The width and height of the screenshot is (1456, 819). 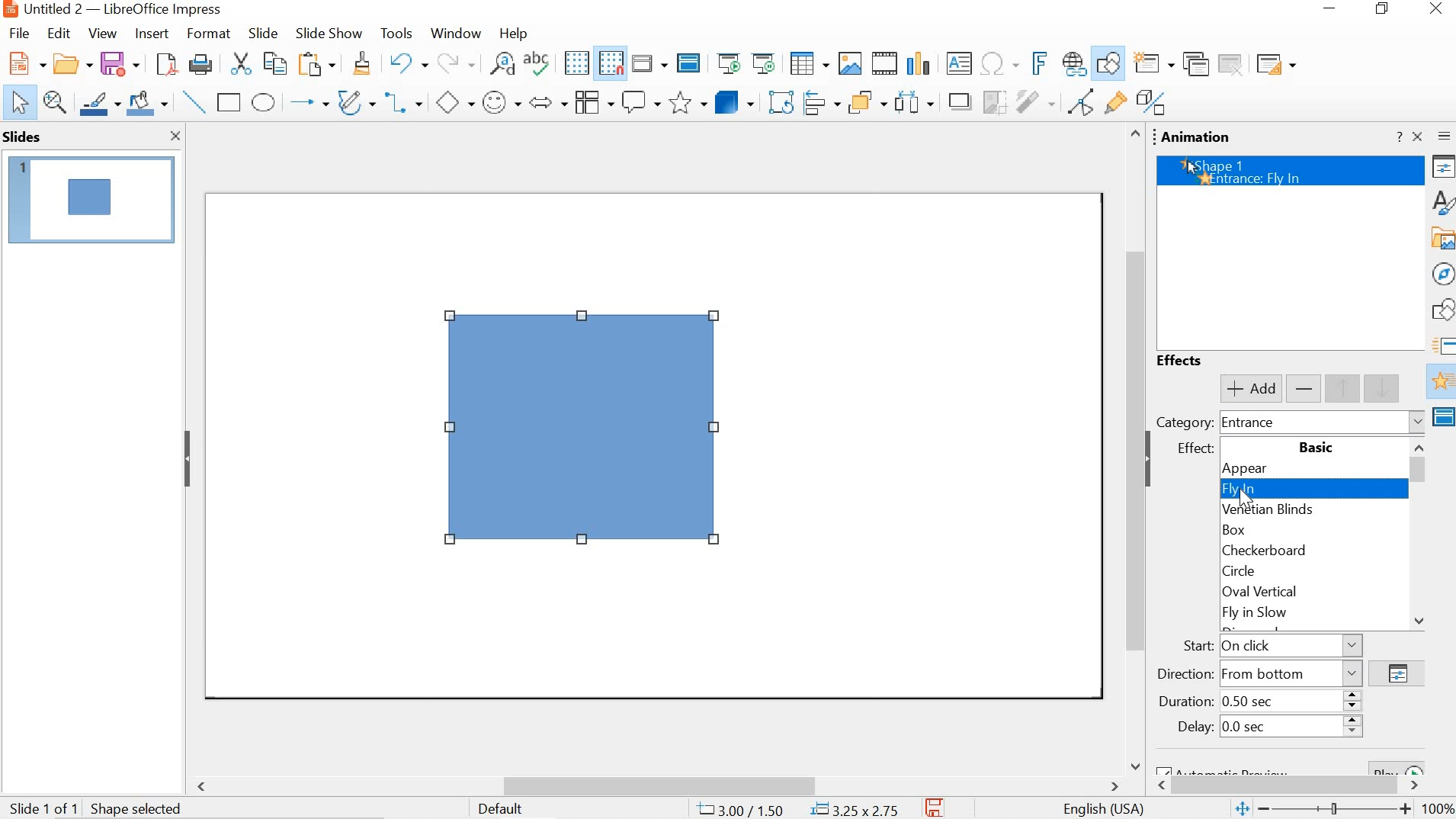 What do you see at coordinates (1250, 499) in the screenshot?
I see `Cursor` at bounding box center [1250, 499].